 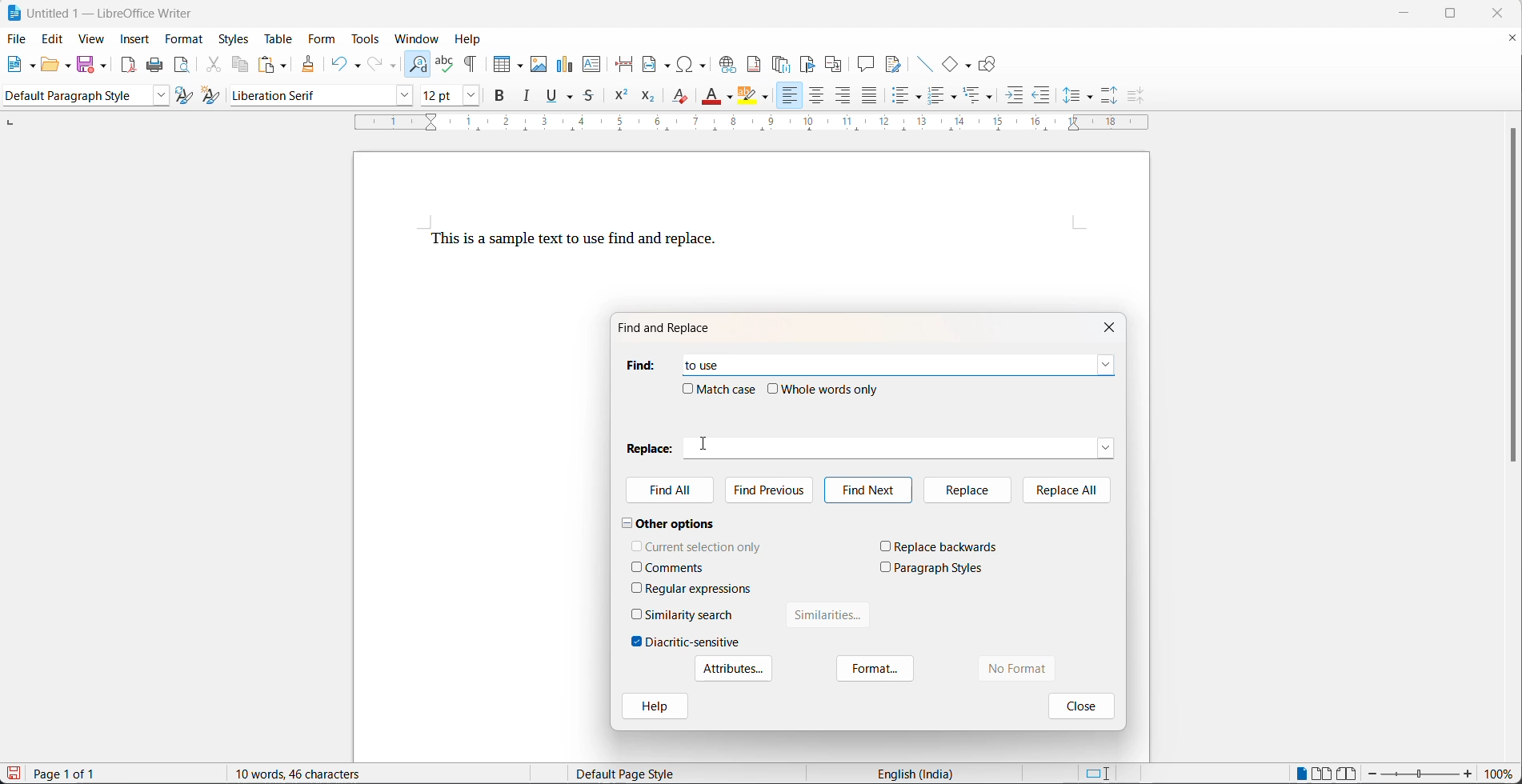 What do you see at coordinates (829, 618) in the screenshot?
I see `similarities button` at bounding box center [829, 618].